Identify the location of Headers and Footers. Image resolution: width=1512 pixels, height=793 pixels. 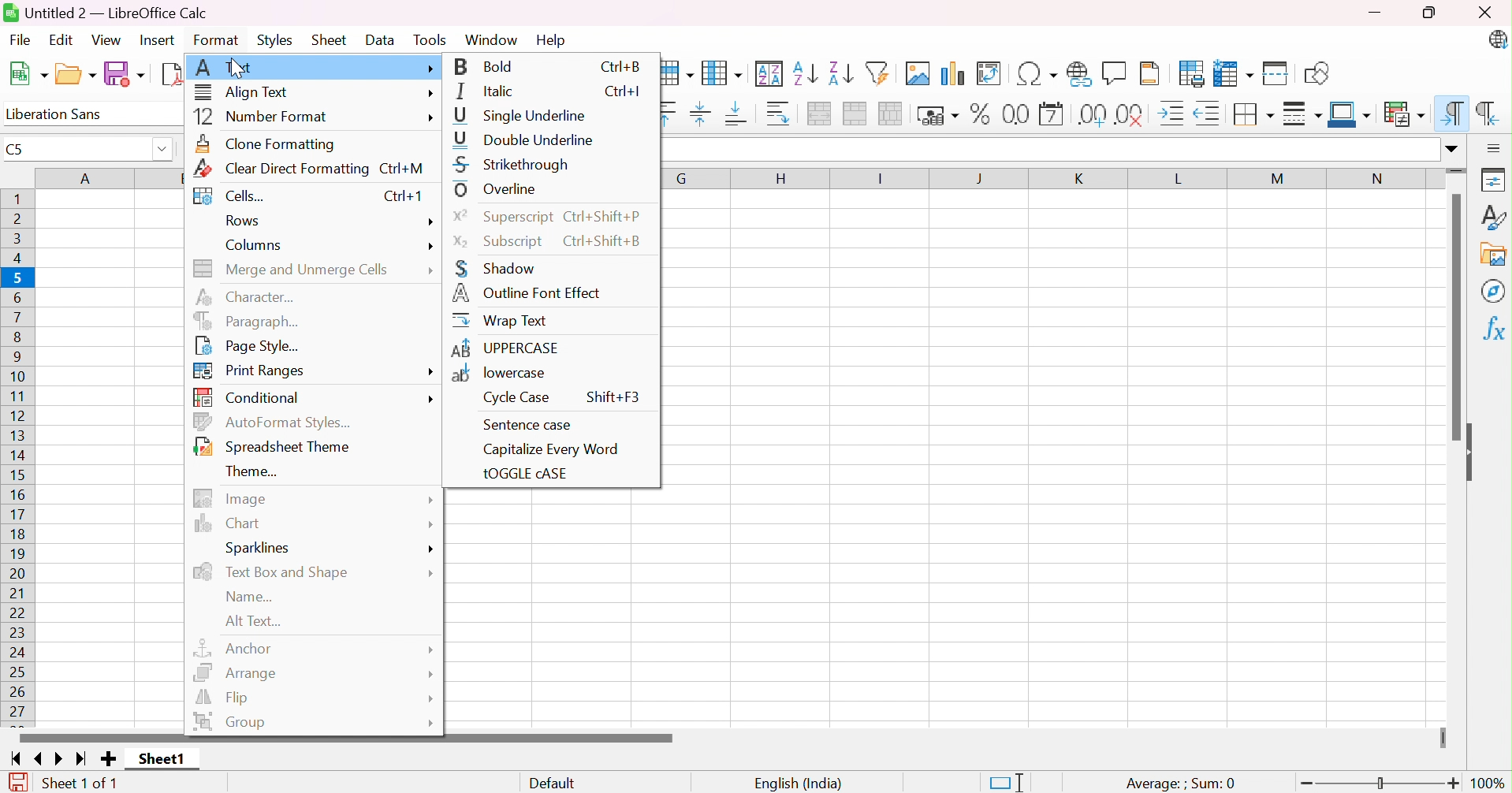
(1152, 73).